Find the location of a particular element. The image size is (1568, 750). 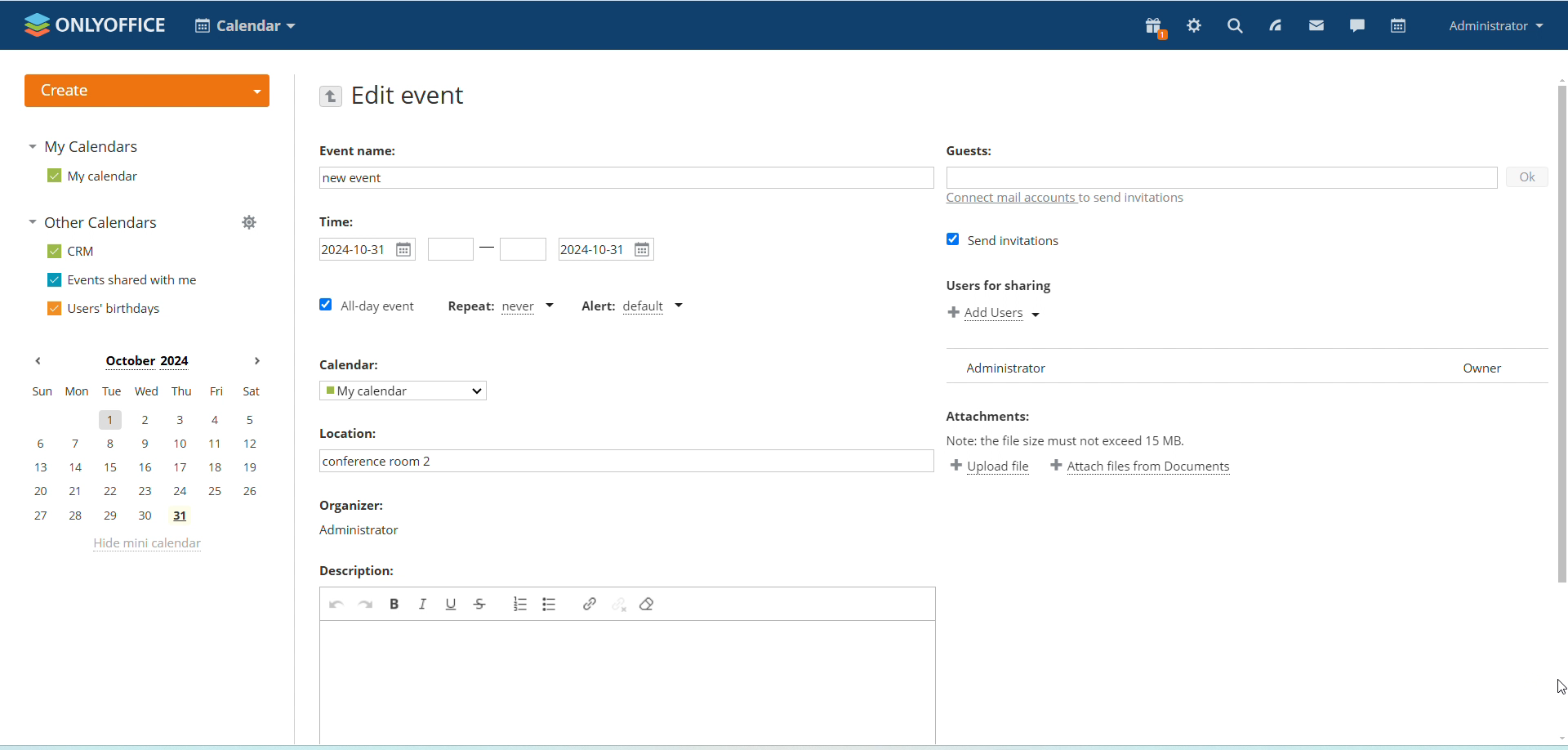

connect mail accounts is located at coordinates (1012, 199).